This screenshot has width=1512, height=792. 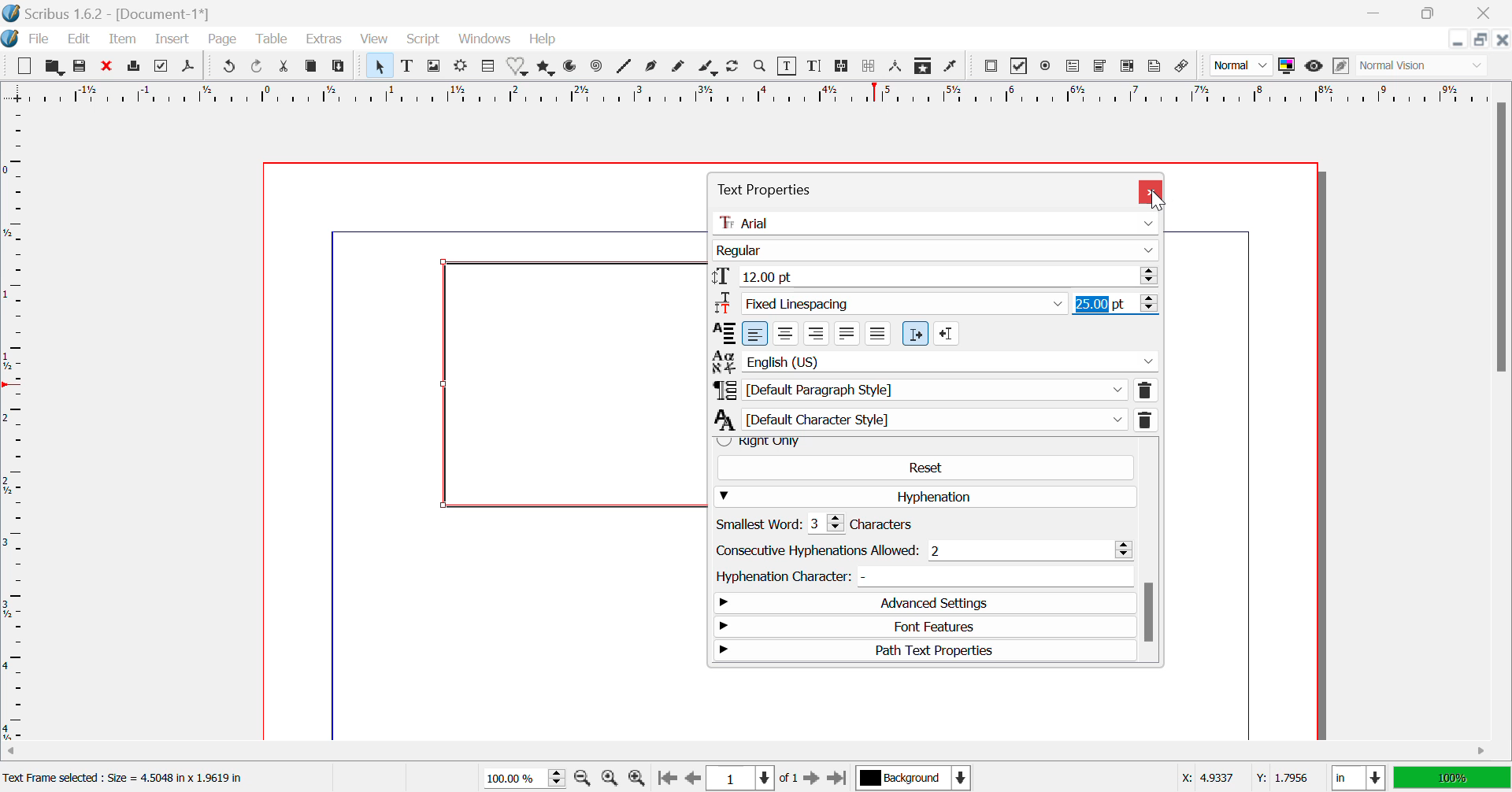 I want to click on Advanced Settings, so click(x=921, y=604).